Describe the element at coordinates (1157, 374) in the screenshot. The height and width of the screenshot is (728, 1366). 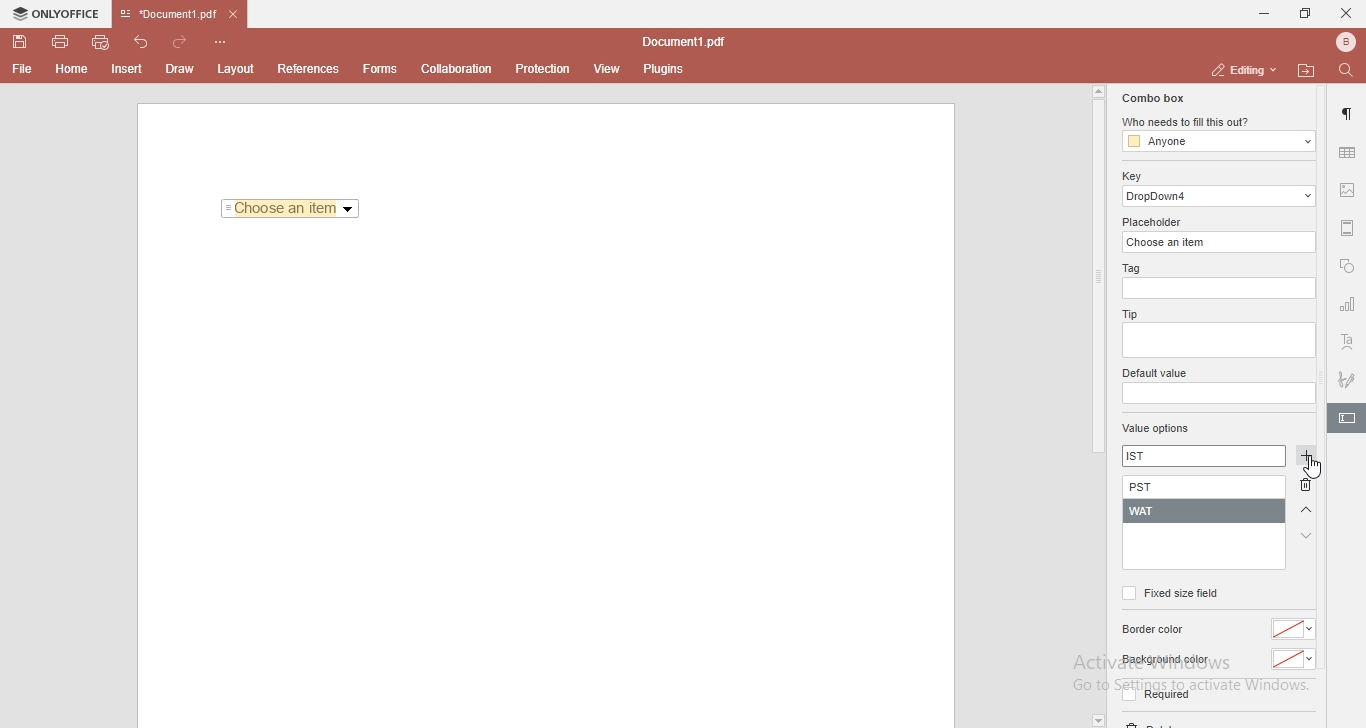
I see `default value` at that location.